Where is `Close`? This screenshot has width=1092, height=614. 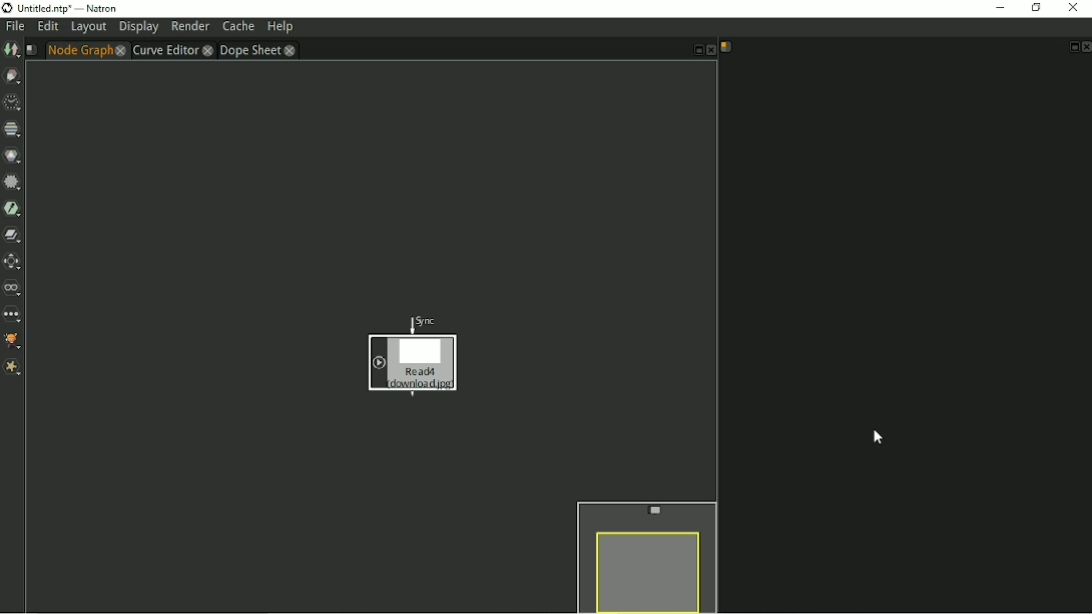 Close is located at coordinates (710, 51).